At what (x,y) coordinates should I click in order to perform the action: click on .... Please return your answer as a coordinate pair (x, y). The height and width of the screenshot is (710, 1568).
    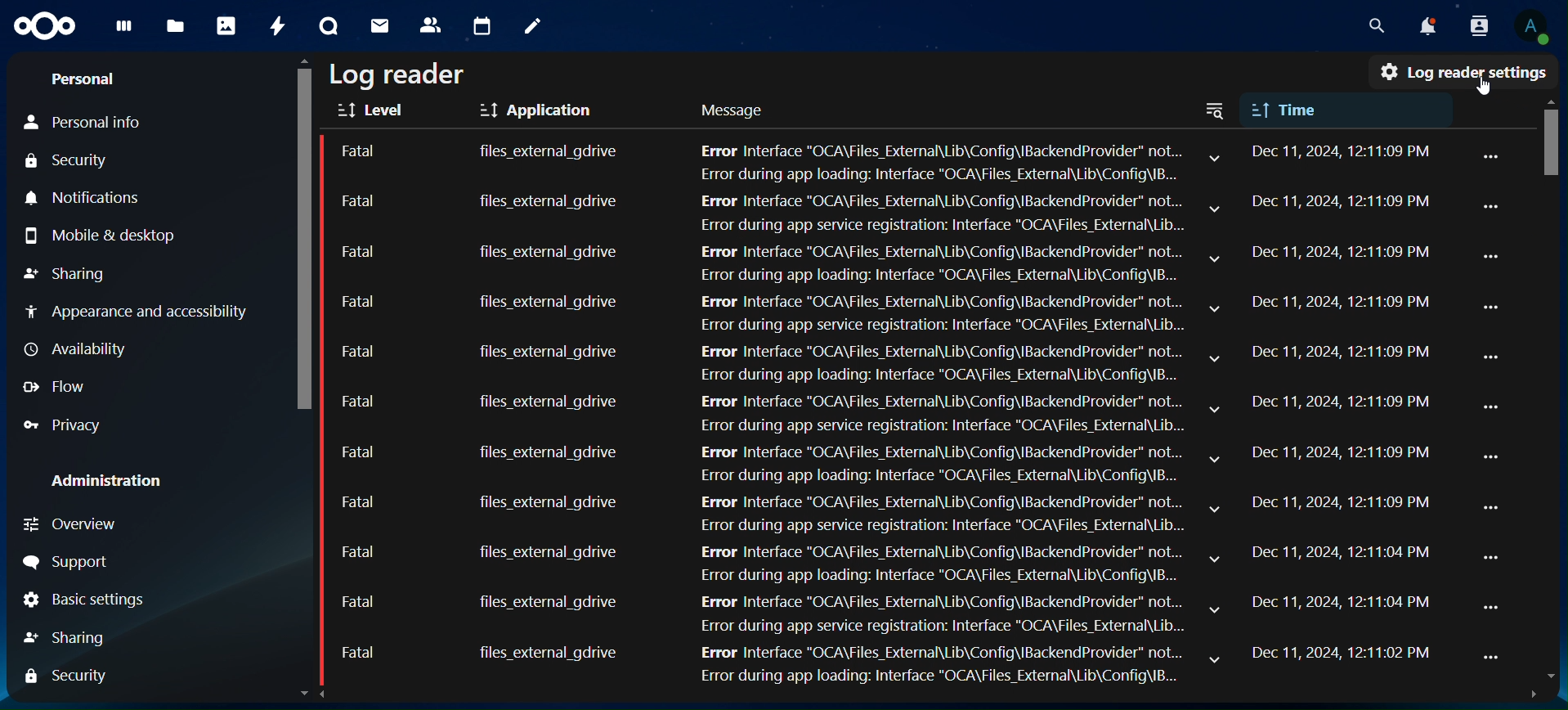
    Looking at the image, I should click on (1496, 509).